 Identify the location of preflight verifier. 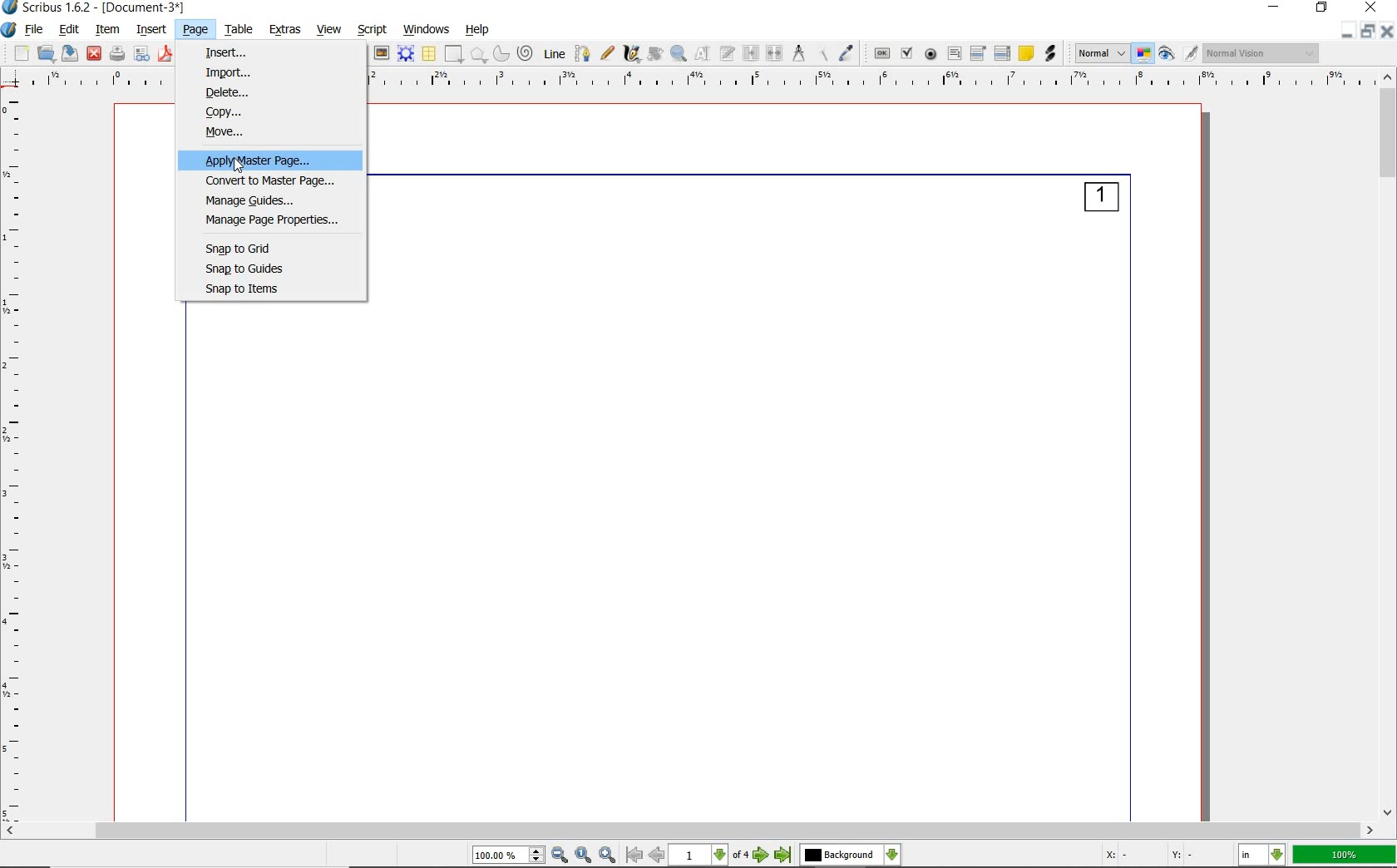
(143, 54).